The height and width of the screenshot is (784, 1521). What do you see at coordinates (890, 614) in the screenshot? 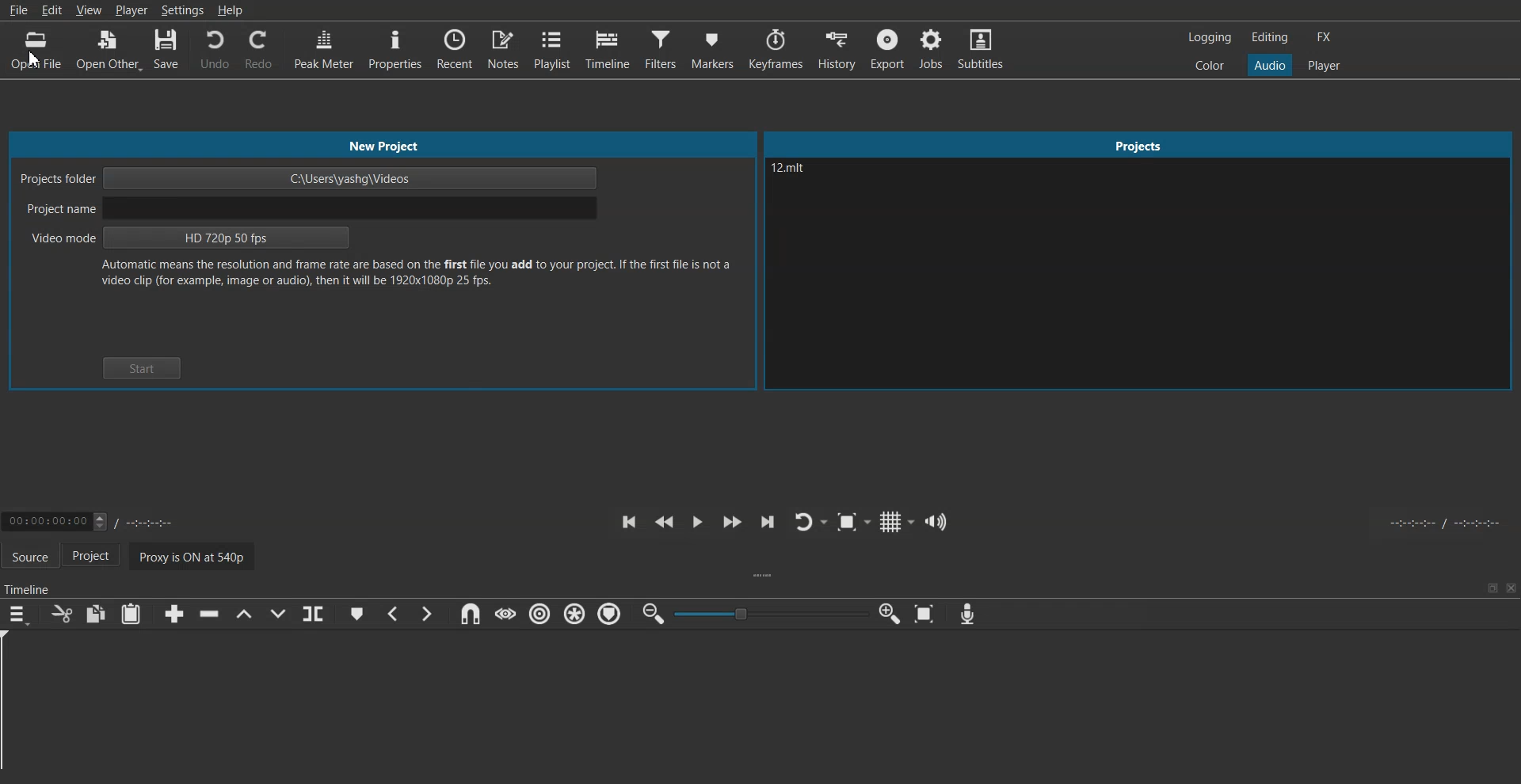
I see `Zoom timeline in` at bounding box center [890, 614].